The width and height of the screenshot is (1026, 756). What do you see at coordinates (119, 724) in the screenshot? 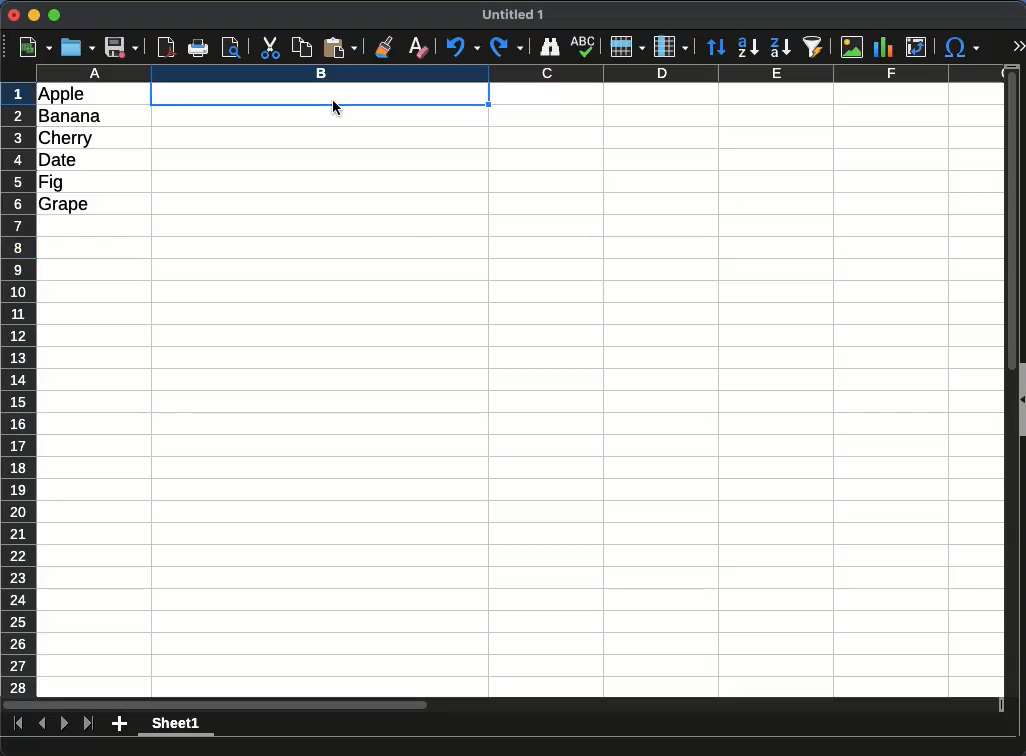
I see `add` at bounding box center [119, 724].